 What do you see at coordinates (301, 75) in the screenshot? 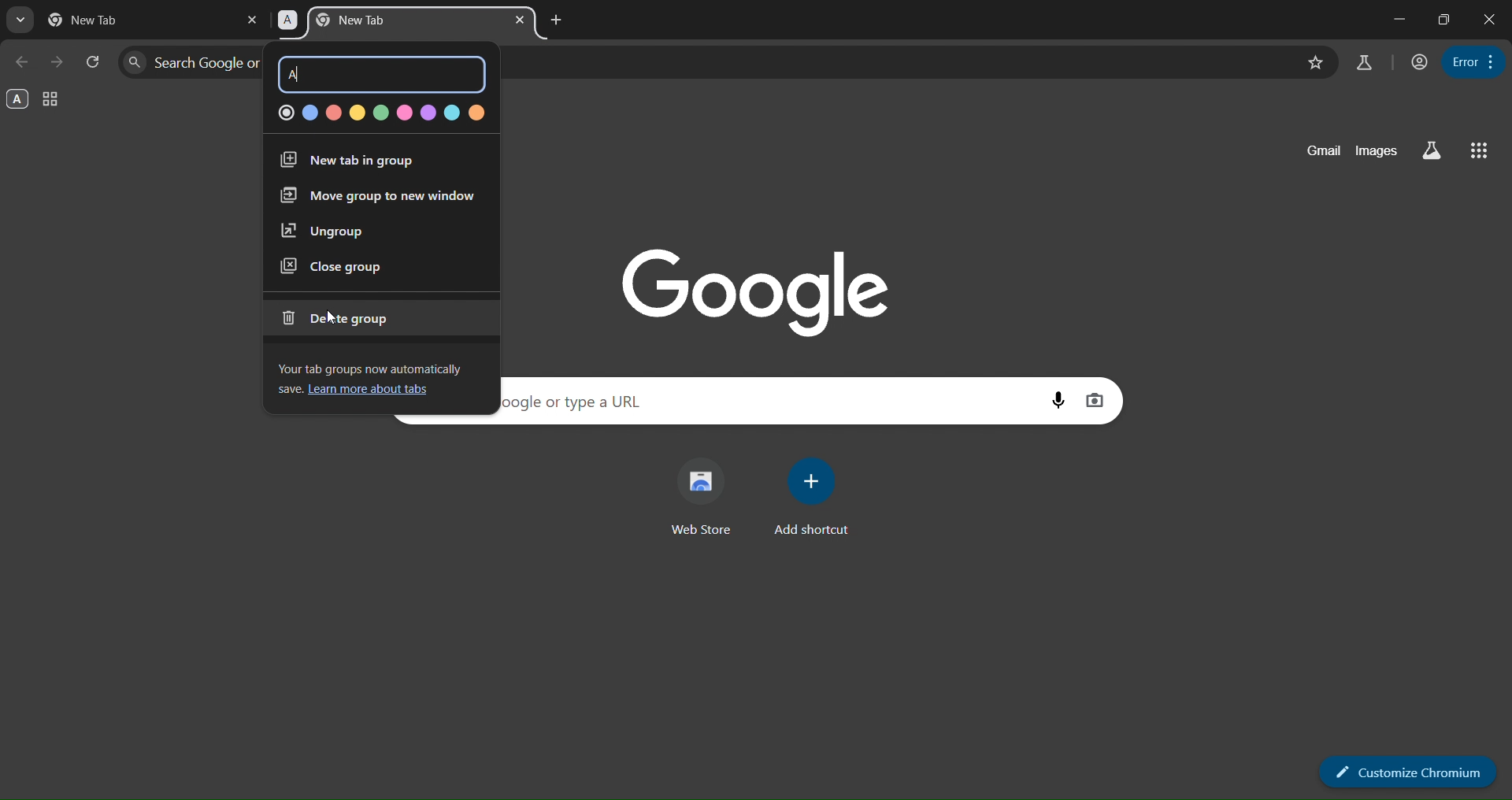
I see `A` at bounding box center [301, 75].